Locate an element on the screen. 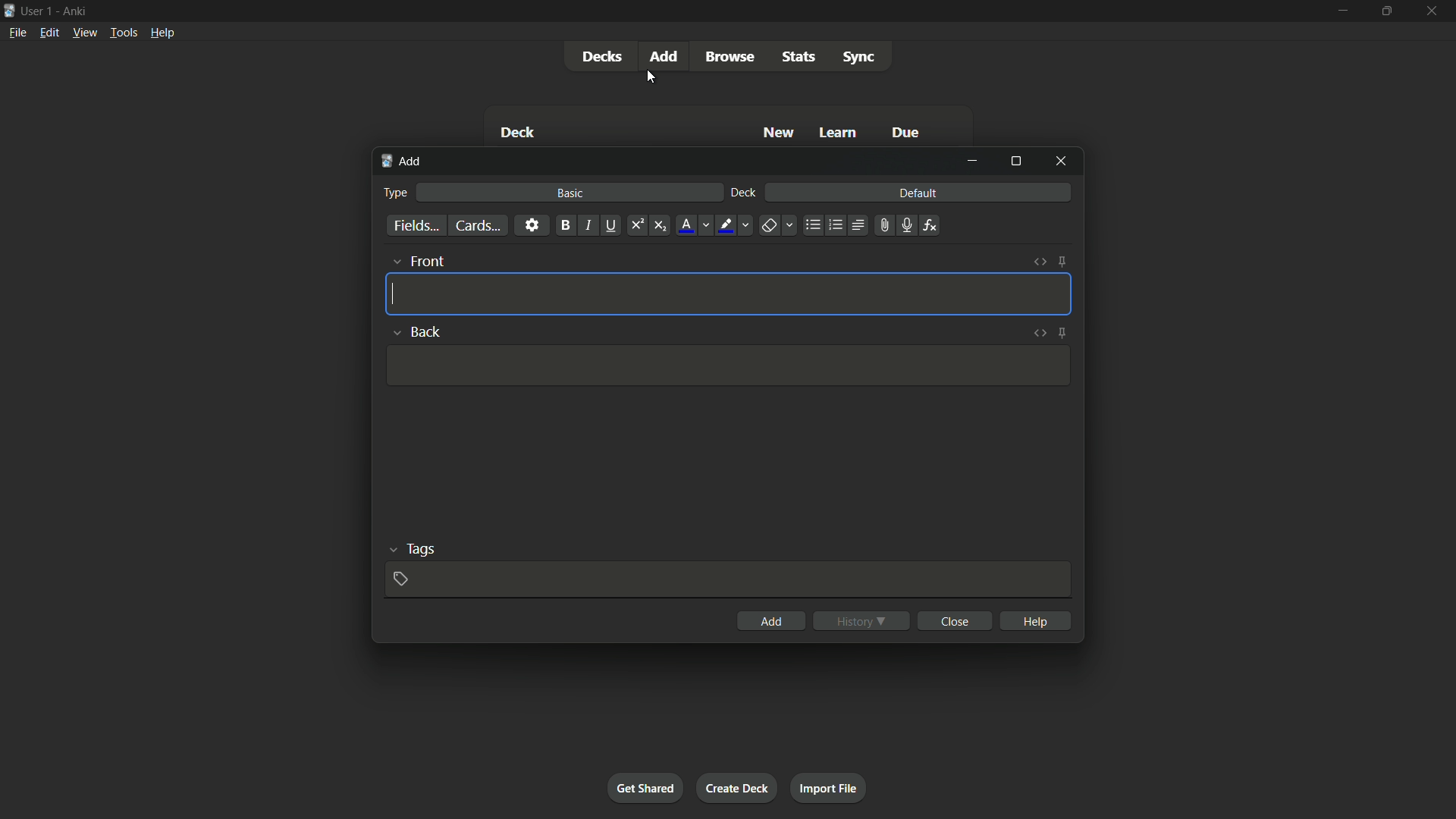  minimize is located at coordinates (972, 161).